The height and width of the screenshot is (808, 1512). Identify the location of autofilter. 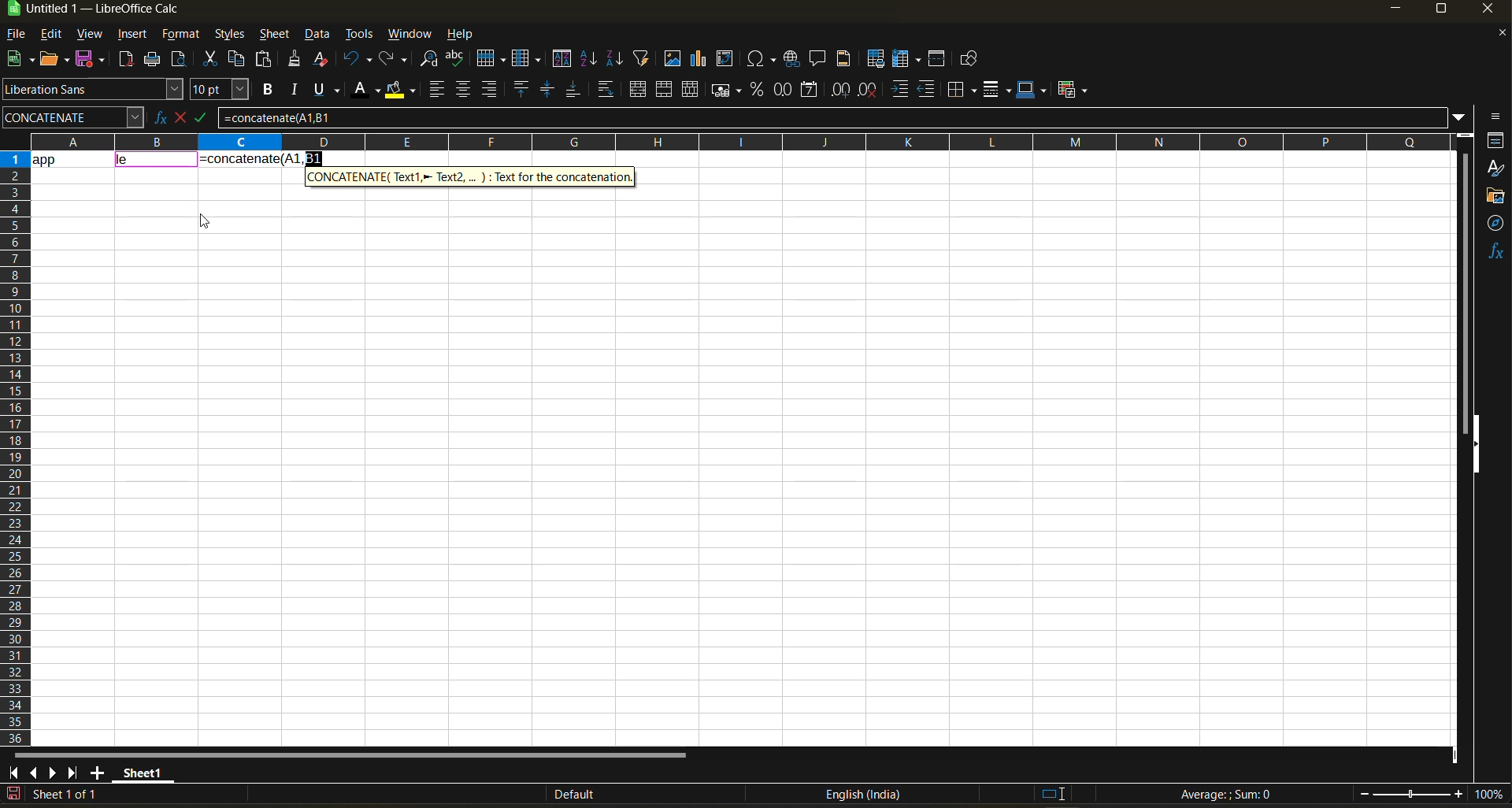
(642, 57).